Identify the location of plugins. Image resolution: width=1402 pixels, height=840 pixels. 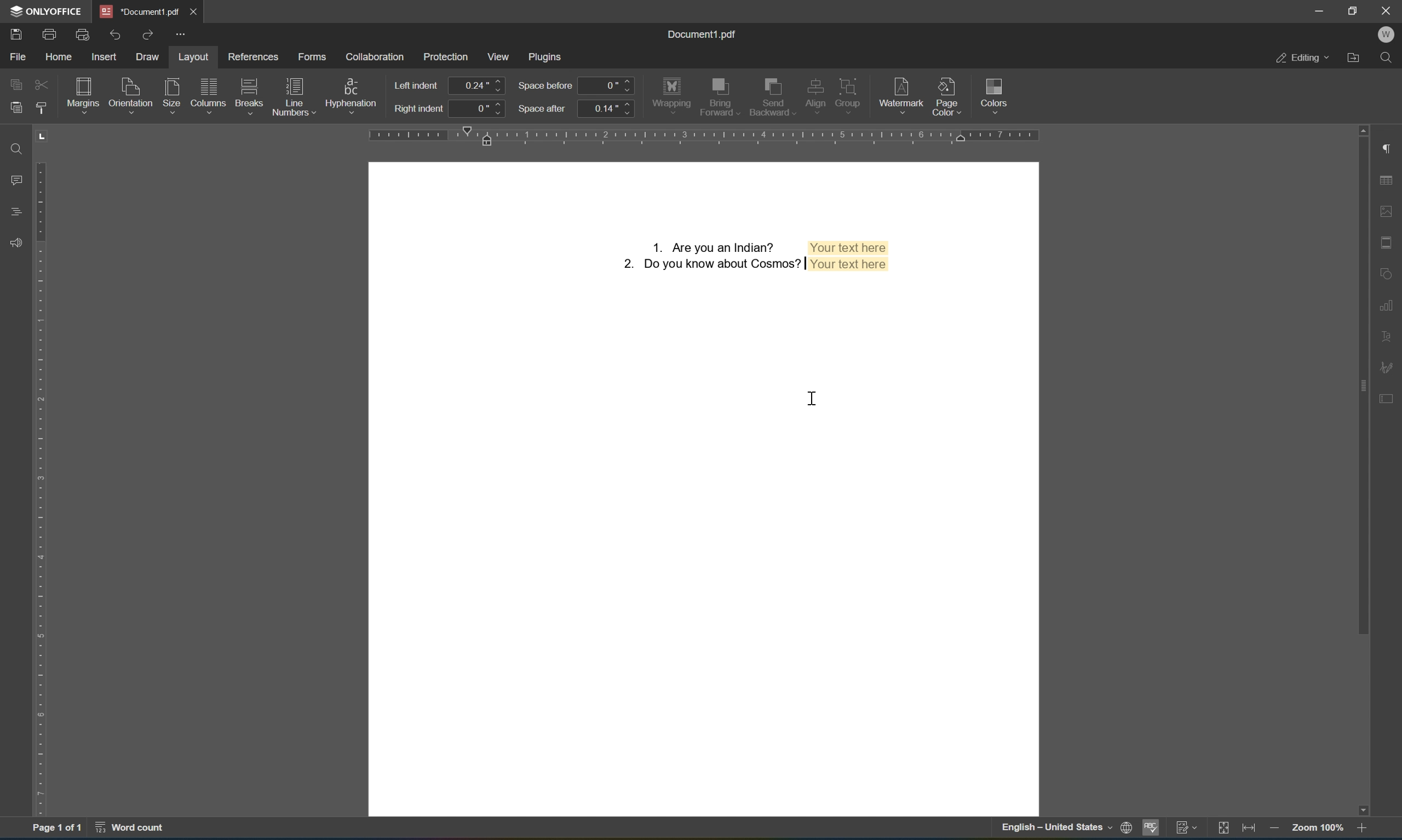
(548, 55).